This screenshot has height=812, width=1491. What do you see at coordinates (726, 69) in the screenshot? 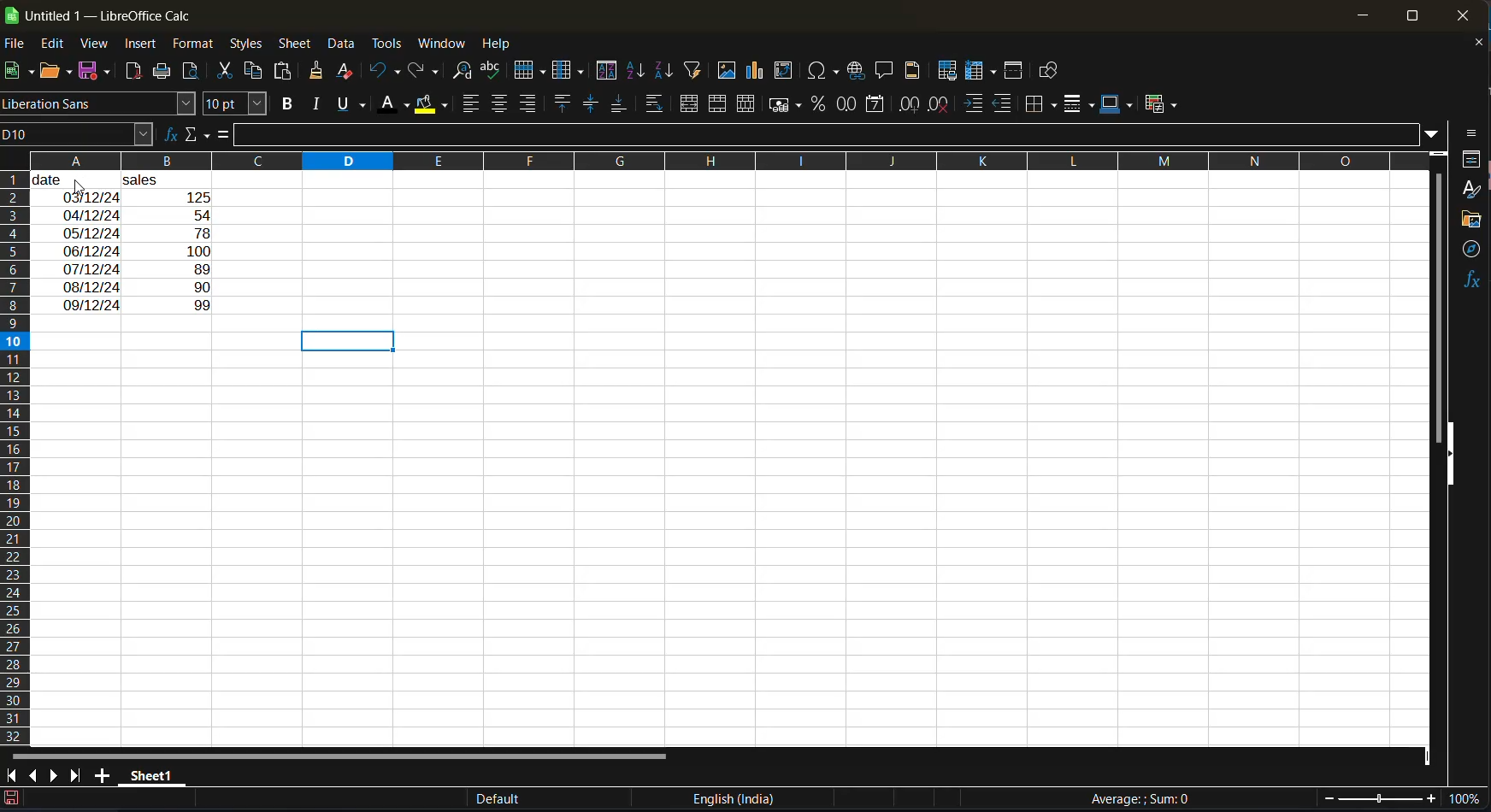
I see `insert image` at bounding box center [726, 69].